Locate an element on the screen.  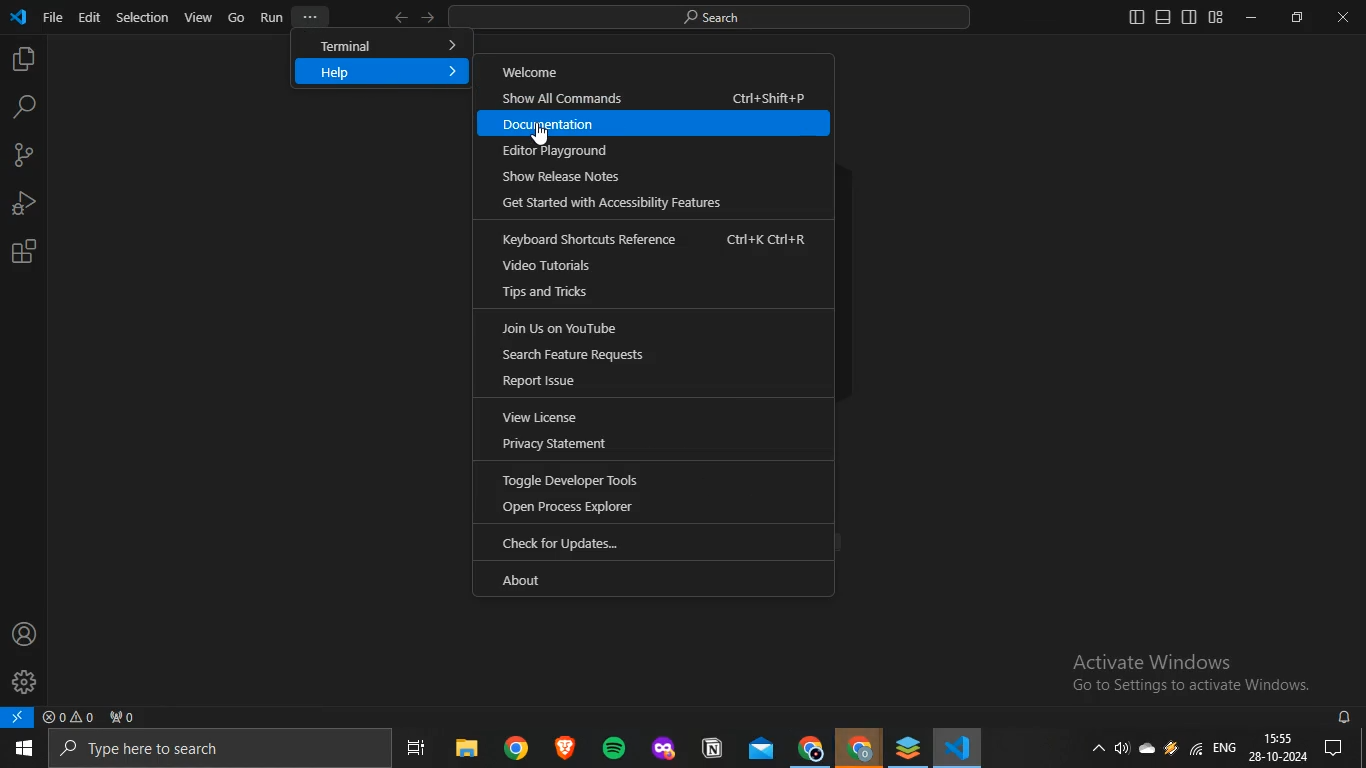
english is located at coordinates (1225, 747).